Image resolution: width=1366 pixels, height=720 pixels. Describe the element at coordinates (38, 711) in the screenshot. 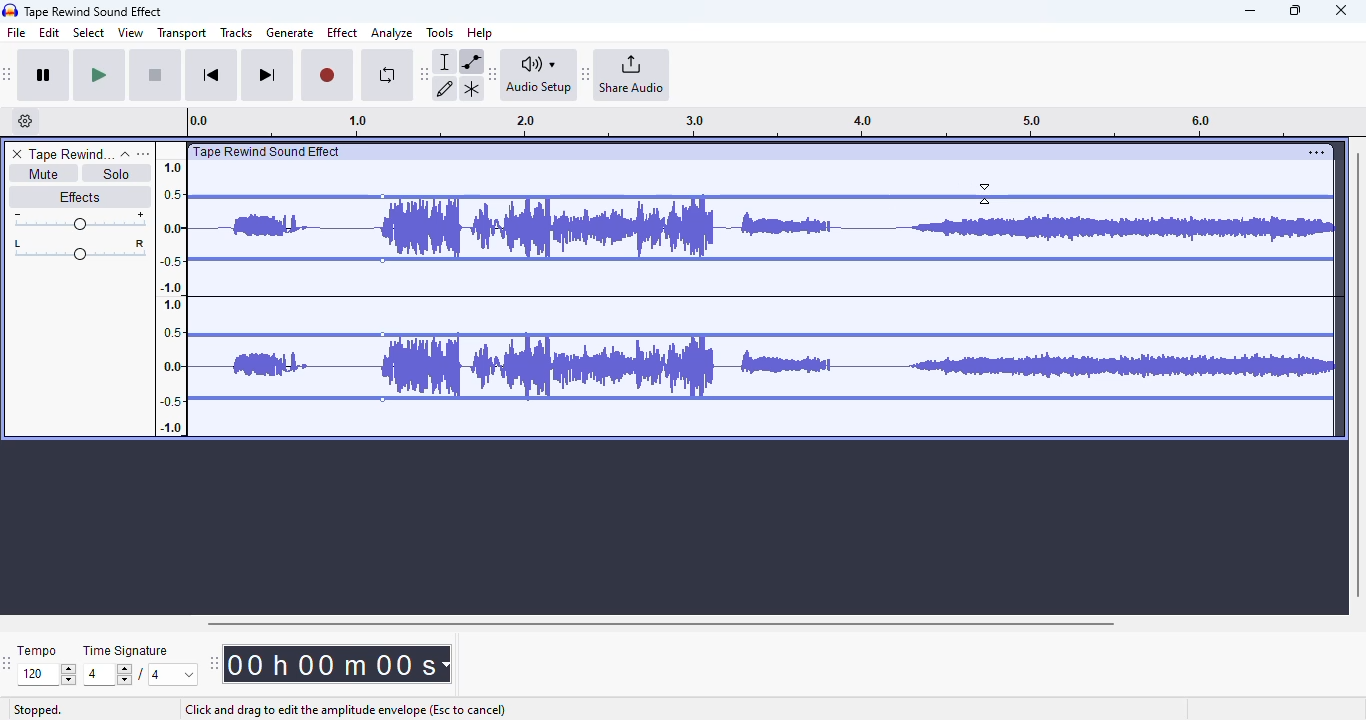

I see `stopped` at that location.